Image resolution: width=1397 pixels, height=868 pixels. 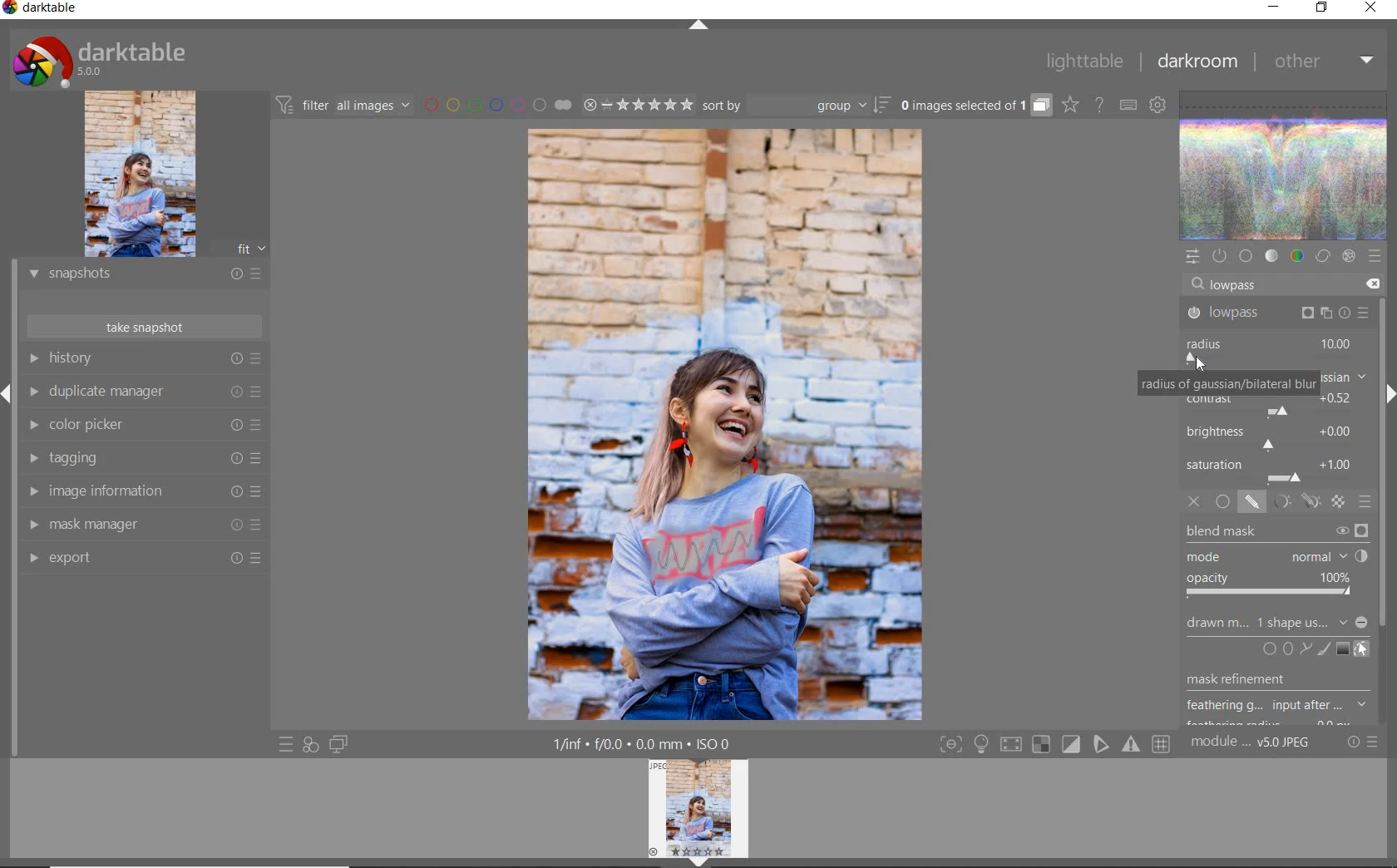 What do you see at coordinates (1197, 503) in the screenshot?
I see `off` at bounding box center [1197, 503].